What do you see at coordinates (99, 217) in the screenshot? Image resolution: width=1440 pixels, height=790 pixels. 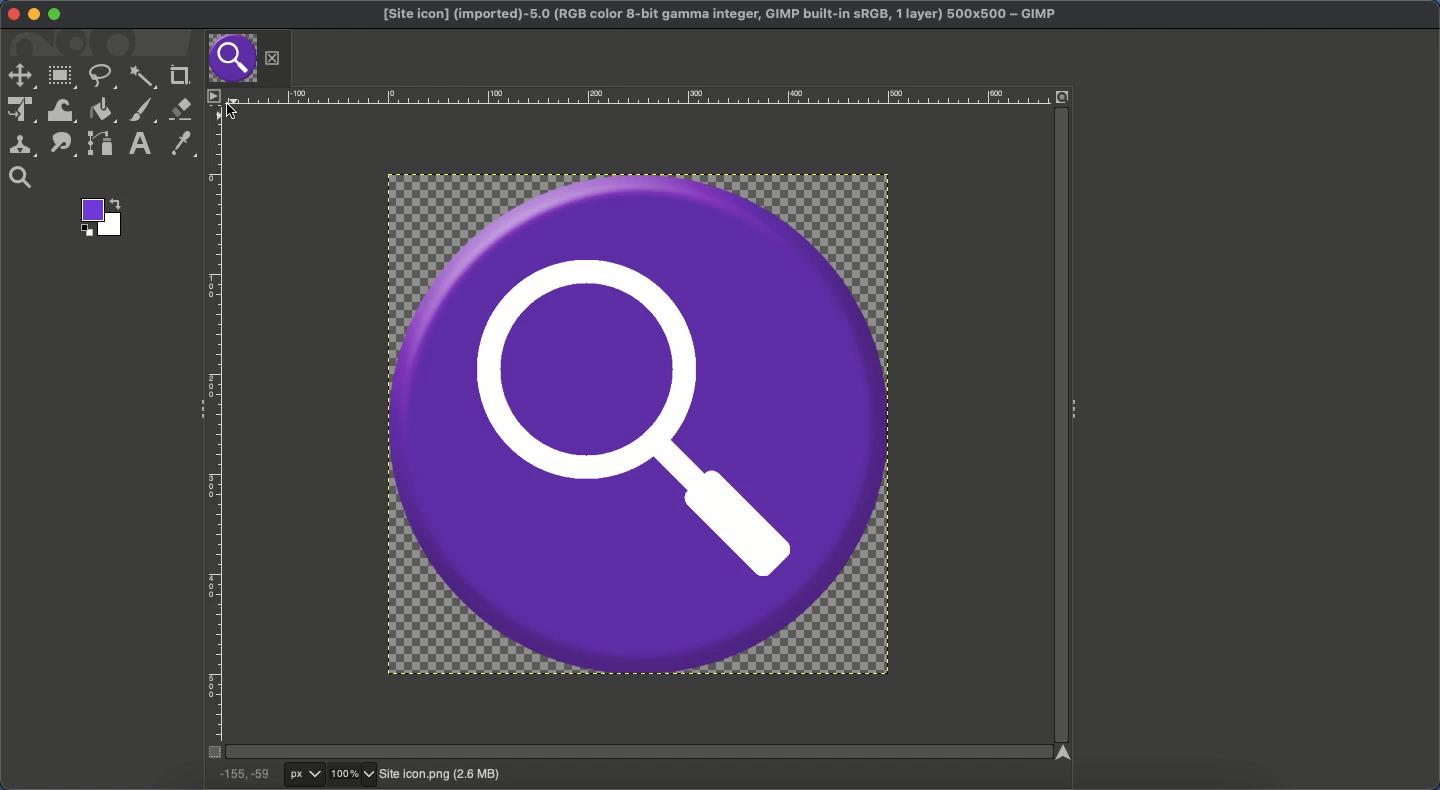 I see `Color` at bounding box center [99, 217].